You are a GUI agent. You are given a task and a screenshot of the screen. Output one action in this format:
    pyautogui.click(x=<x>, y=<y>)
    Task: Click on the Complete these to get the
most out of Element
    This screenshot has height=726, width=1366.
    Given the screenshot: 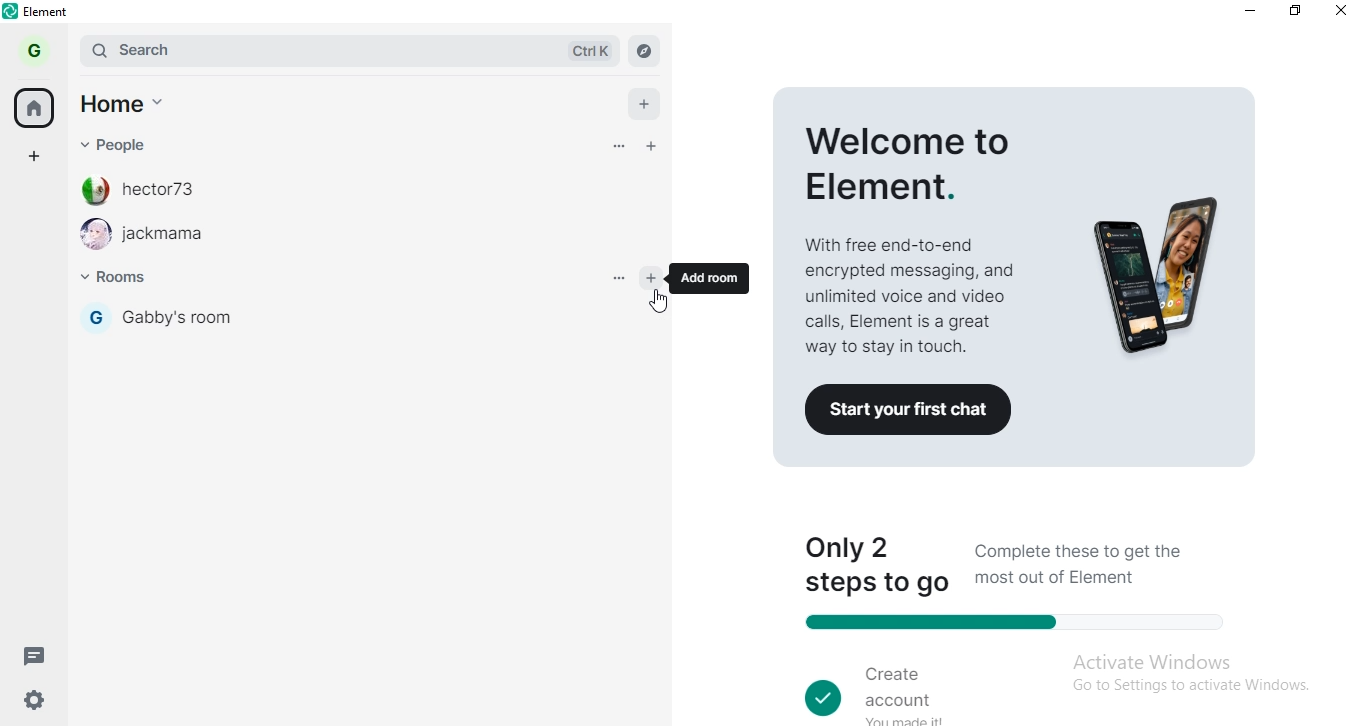 What is the action you would take?
    pyautogui.click(x=1094, y=563)
    